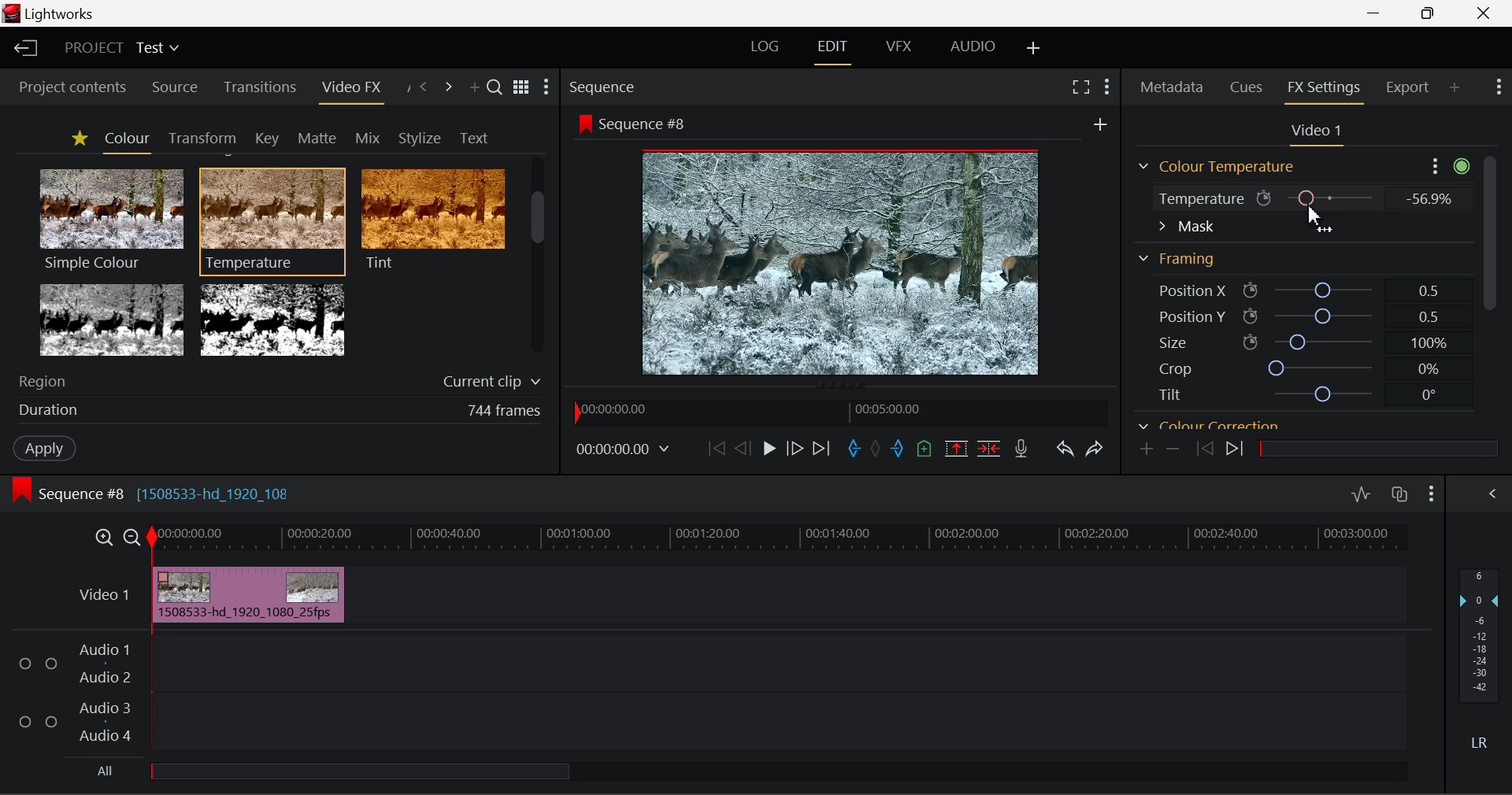  Describe the element at coordinates (1063, 448) in the screenshot. I see `Undo` at that location.